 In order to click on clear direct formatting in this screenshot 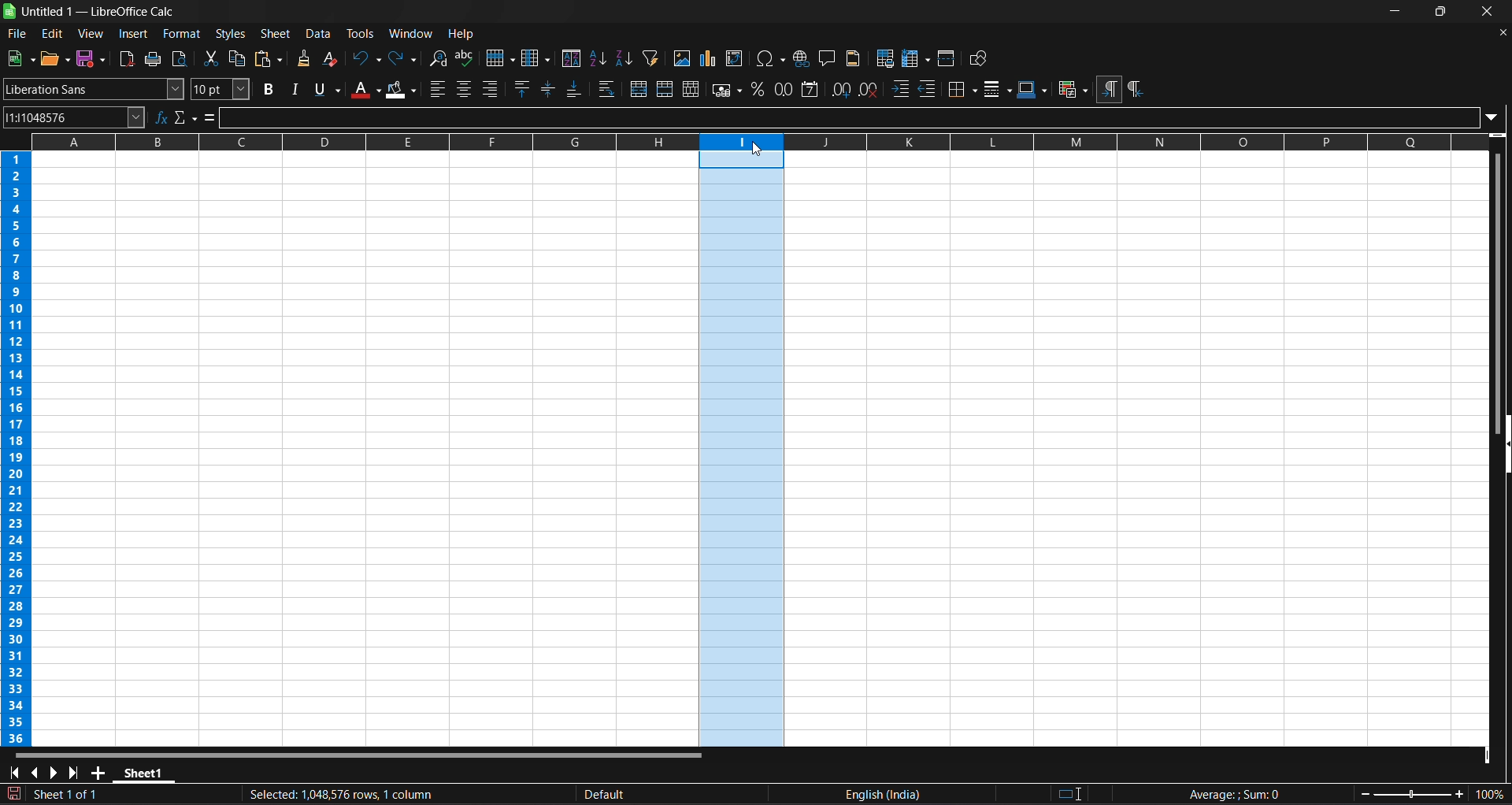, I will do `click(332, 57)`.